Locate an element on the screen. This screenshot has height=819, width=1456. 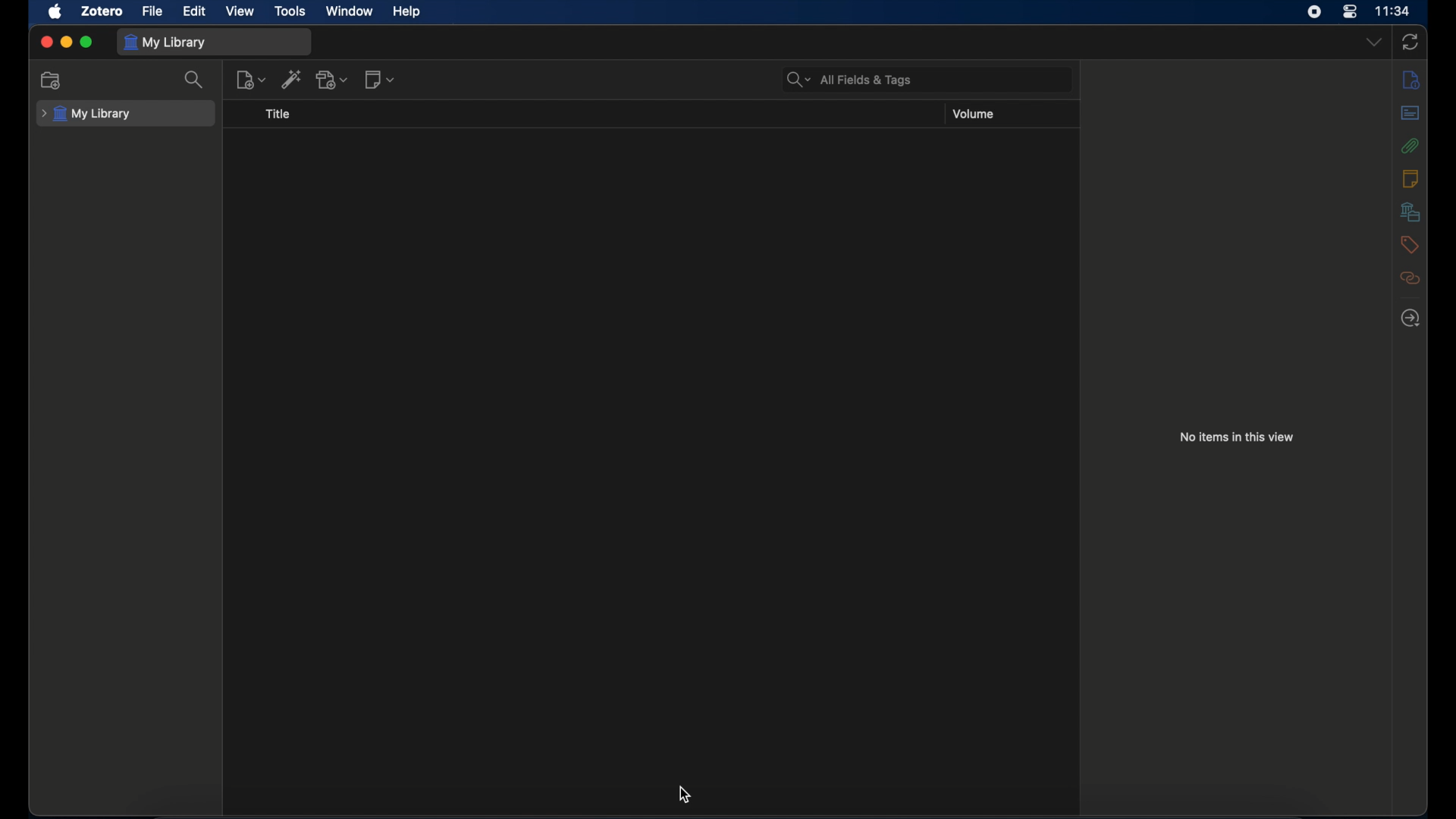
title is located at coordinates (278, 114).